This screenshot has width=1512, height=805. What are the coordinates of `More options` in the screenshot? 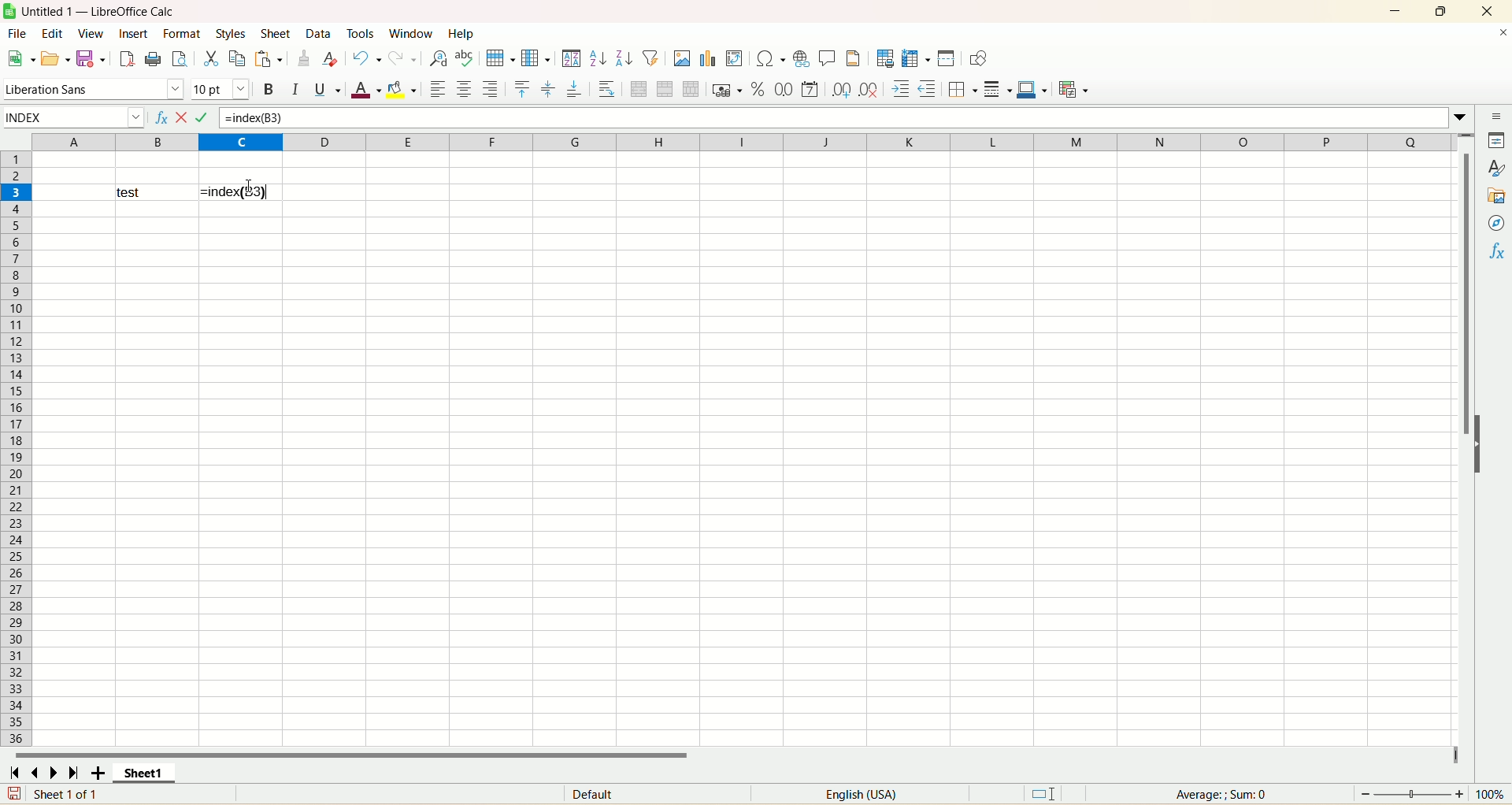 It's located at (1460, 118).